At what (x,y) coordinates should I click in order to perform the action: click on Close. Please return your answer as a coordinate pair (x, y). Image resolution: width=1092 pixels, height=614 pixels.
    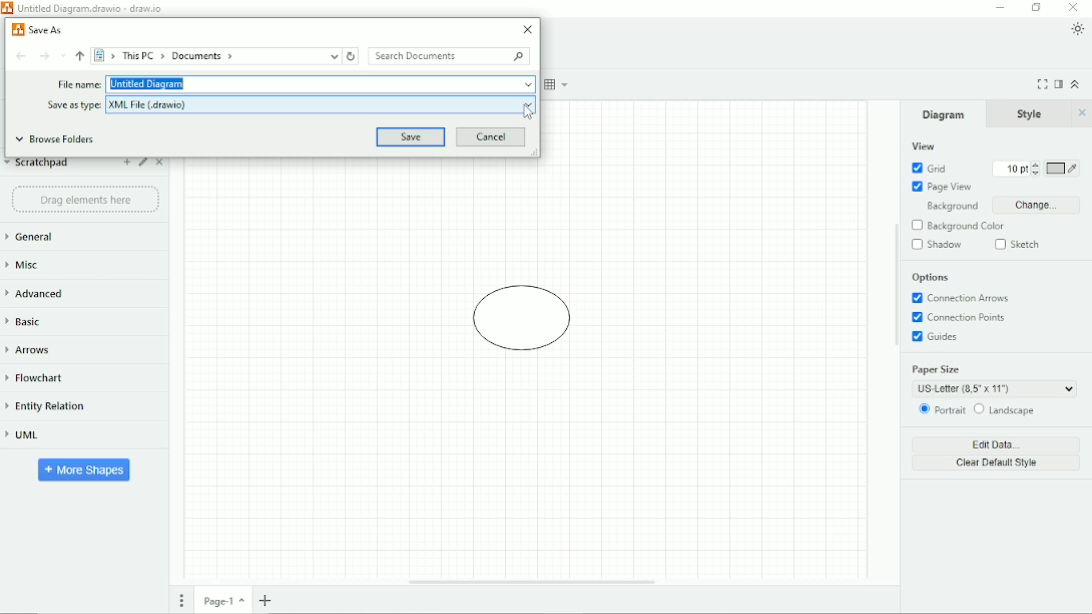
    Looking at the image, I should click on (160, 164).